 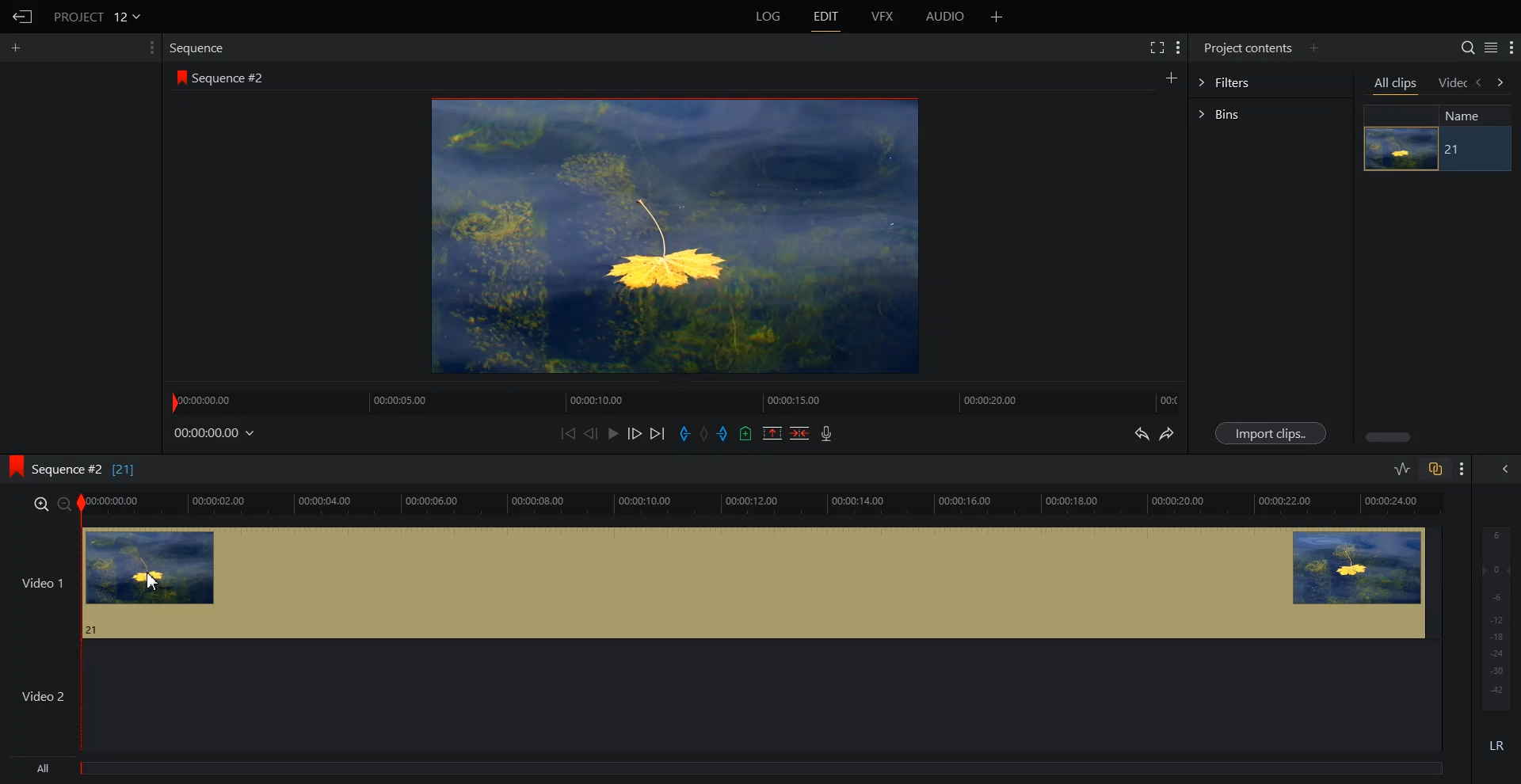 What do you see at coordinates (947, 17) in the screenshot?
I see `Audio` at bounding box center [947, 17].